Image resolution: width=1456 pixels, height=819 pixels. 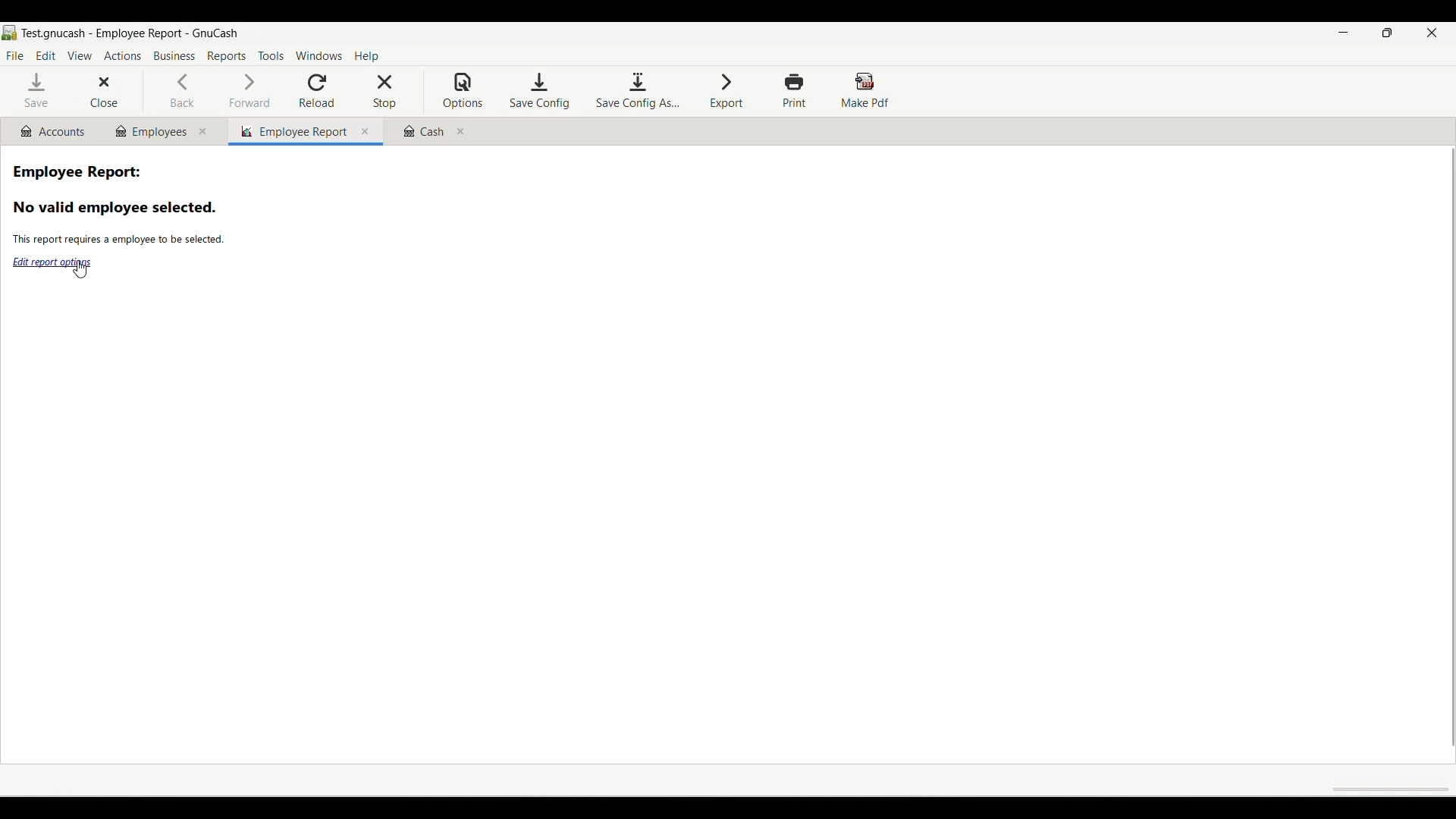 I want to click on View, so click(x=80, y=55).